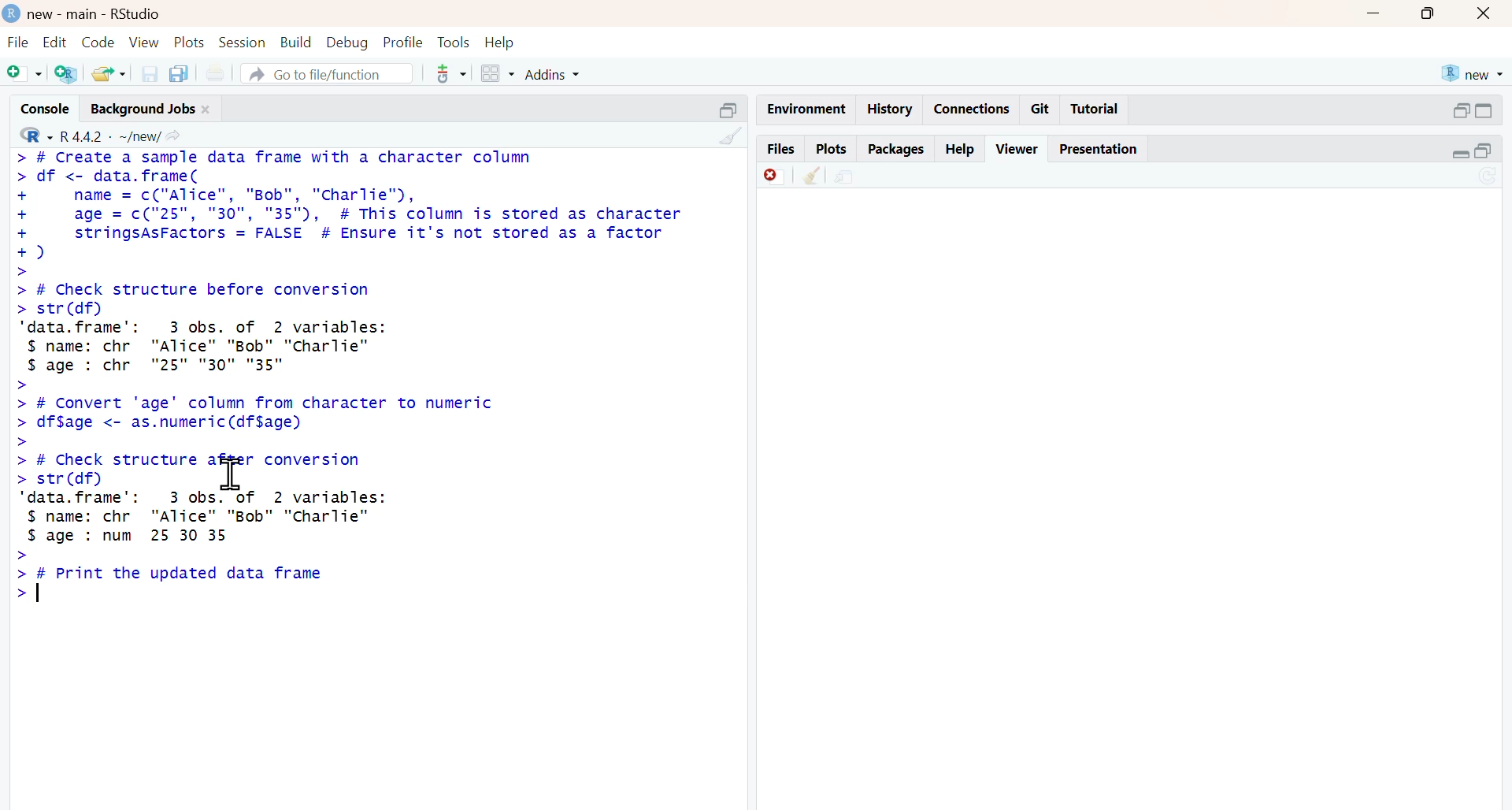 This screenshot has height=810, width=1512. I want to click on presentation, so click(1096, 149).